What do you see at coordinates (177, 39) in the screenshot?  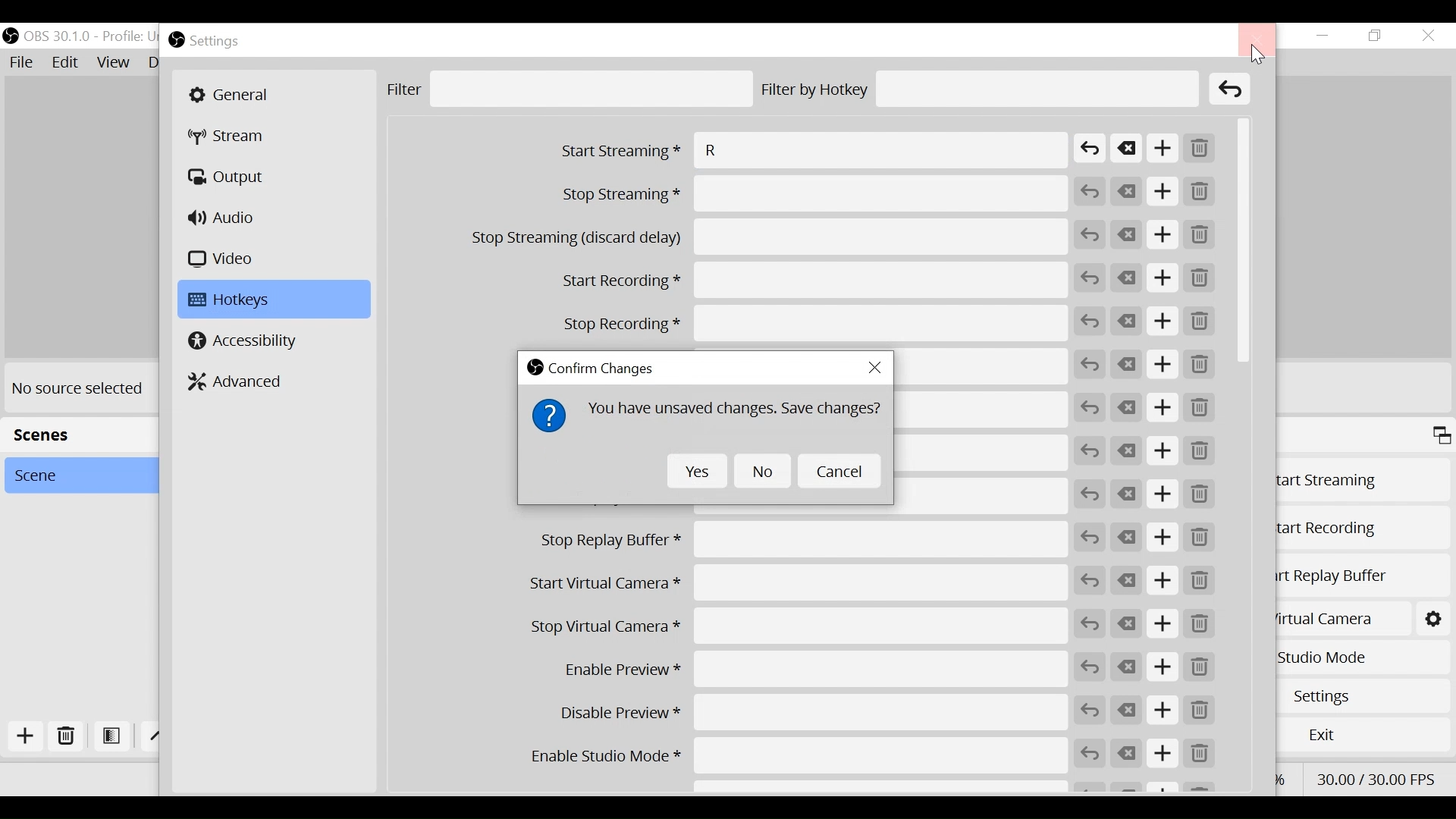 I see `OBS Studio Desktop icon` at bounding box center [177, 39].